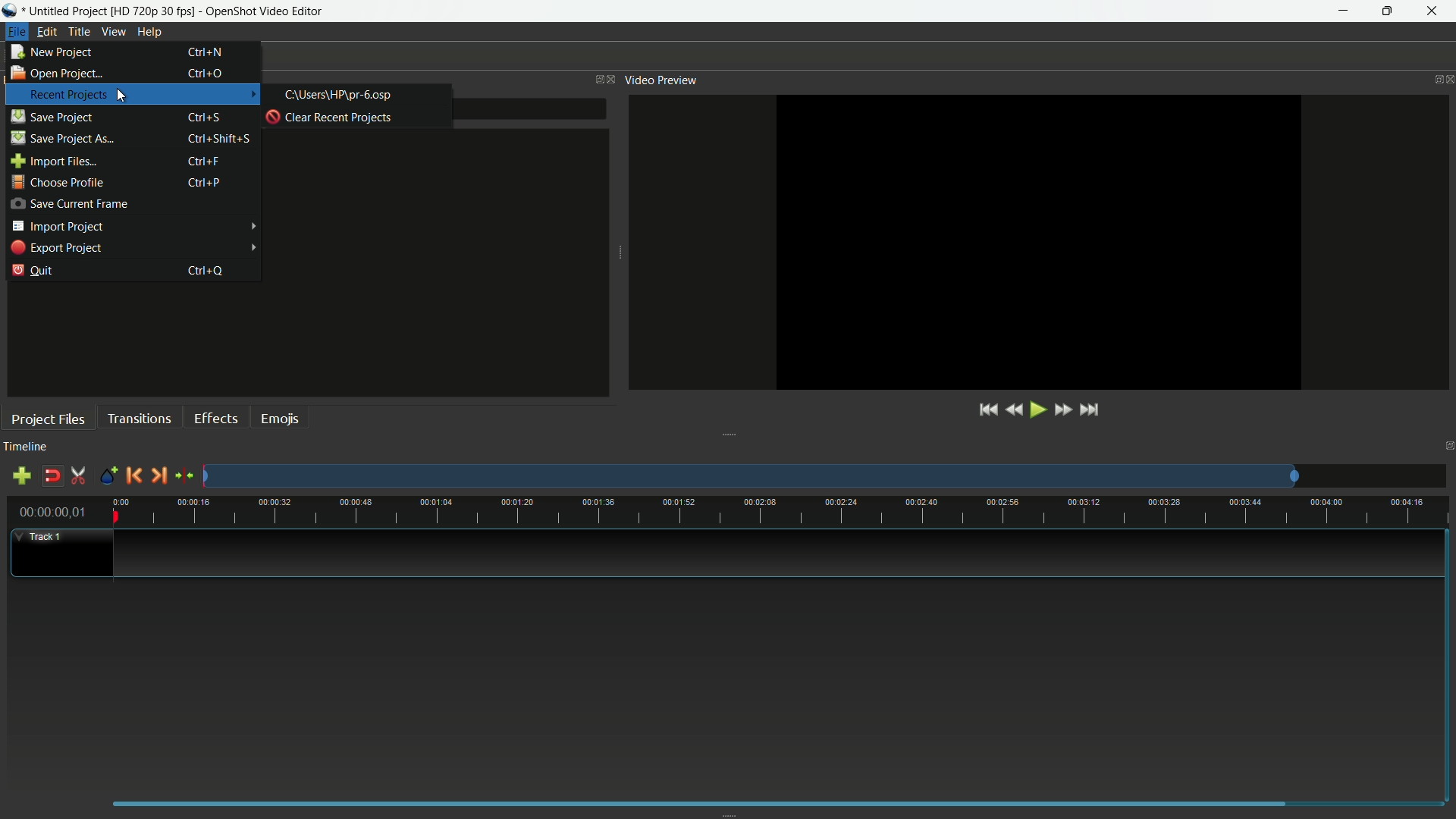 The image size is (1456, 819). What do you see at coordinates (206, 162) in the screenshot?
I see `keyboard shortcut` at bounding box center [206, 162].